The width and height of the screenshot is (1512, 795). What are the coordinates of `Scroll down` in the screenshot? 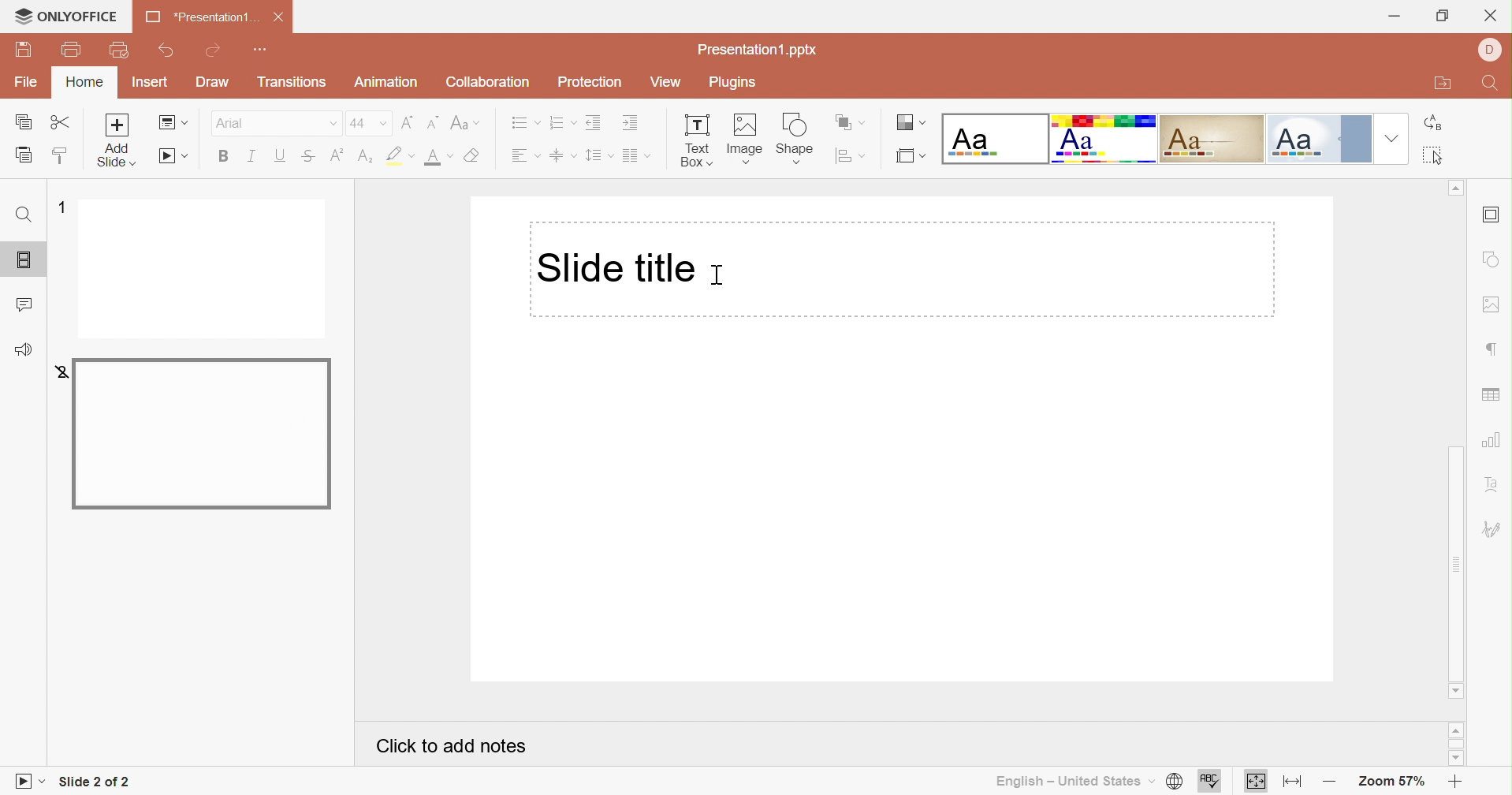 It's located at (1455, 757).